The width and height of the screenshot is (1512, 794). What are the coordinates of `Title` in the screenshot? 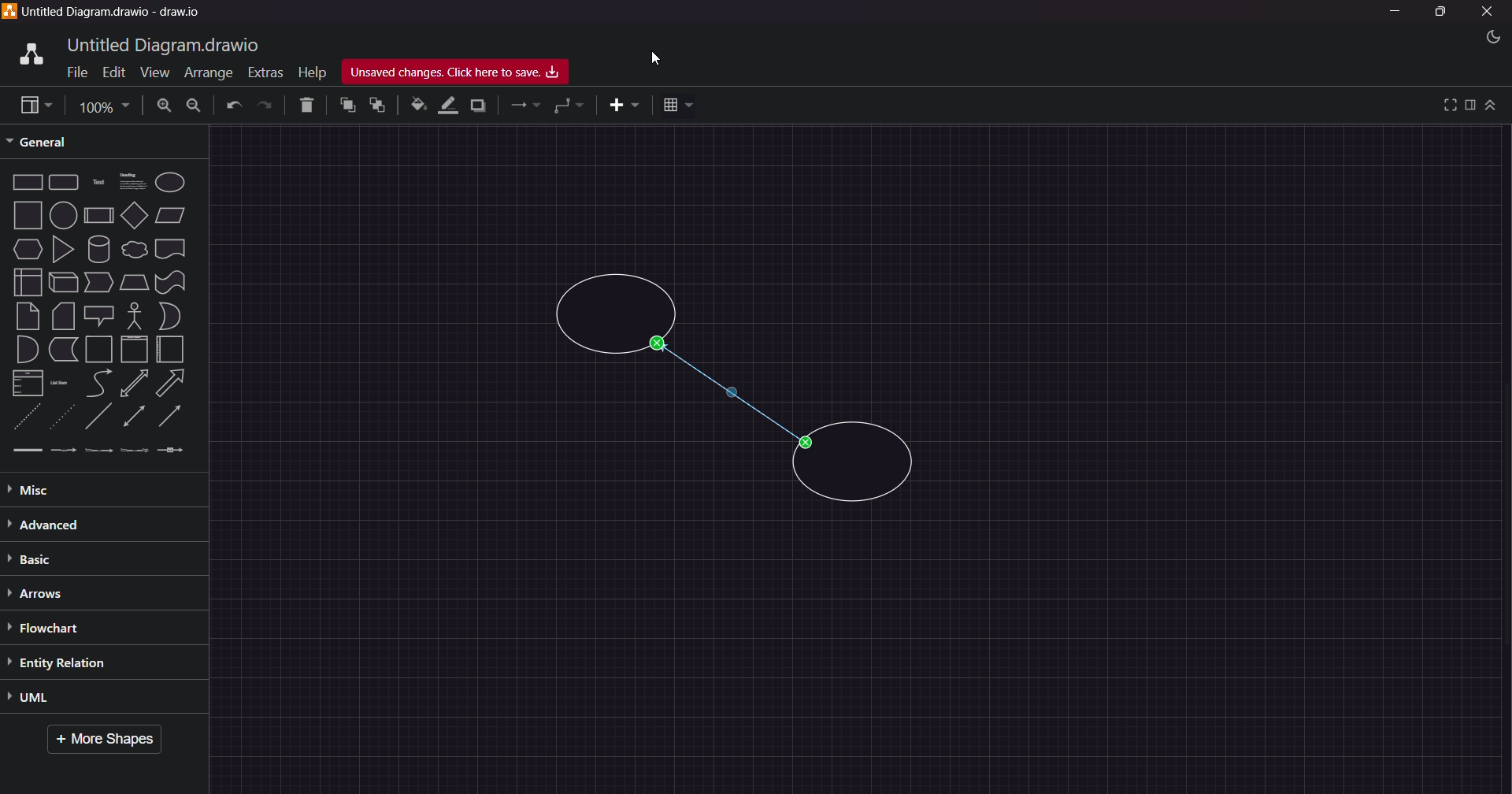 It's located at (118, 13).